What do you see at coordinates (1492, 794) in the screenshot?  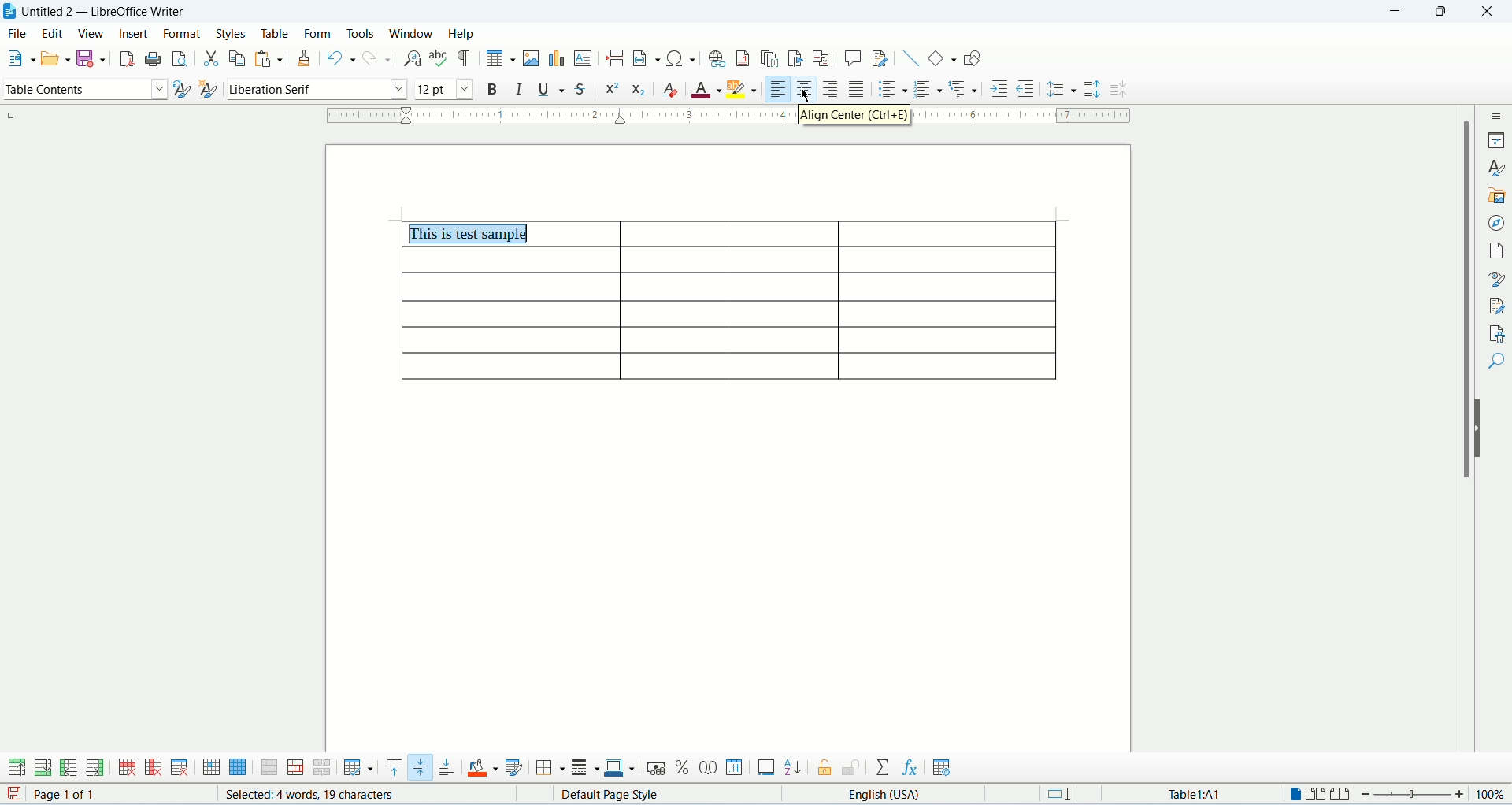 I see `zoom percemt` at bounding box center [1492, 794].